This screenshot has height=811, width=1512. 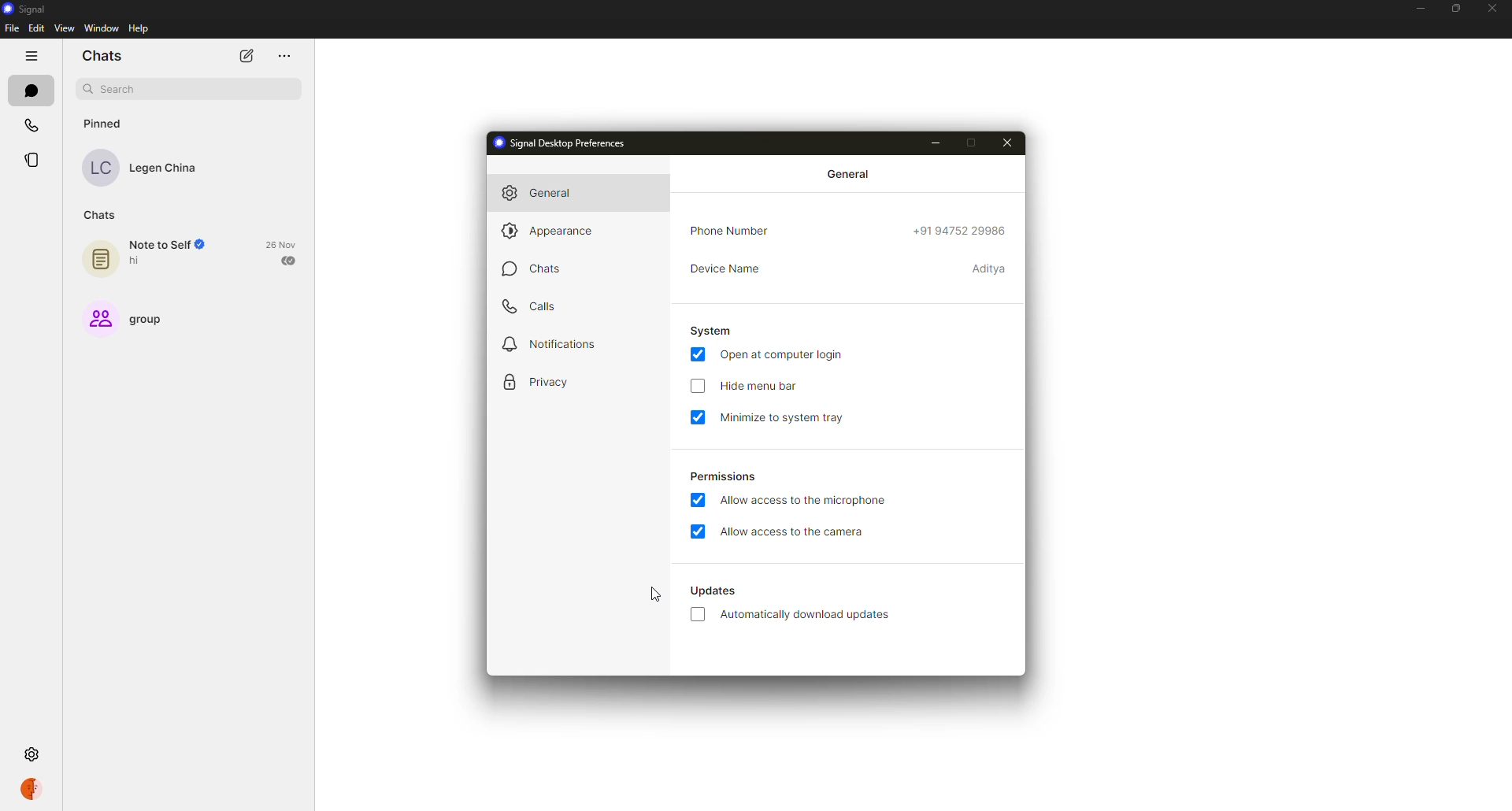 I want to click on allow access to microphone, so click(x=803, y=500).